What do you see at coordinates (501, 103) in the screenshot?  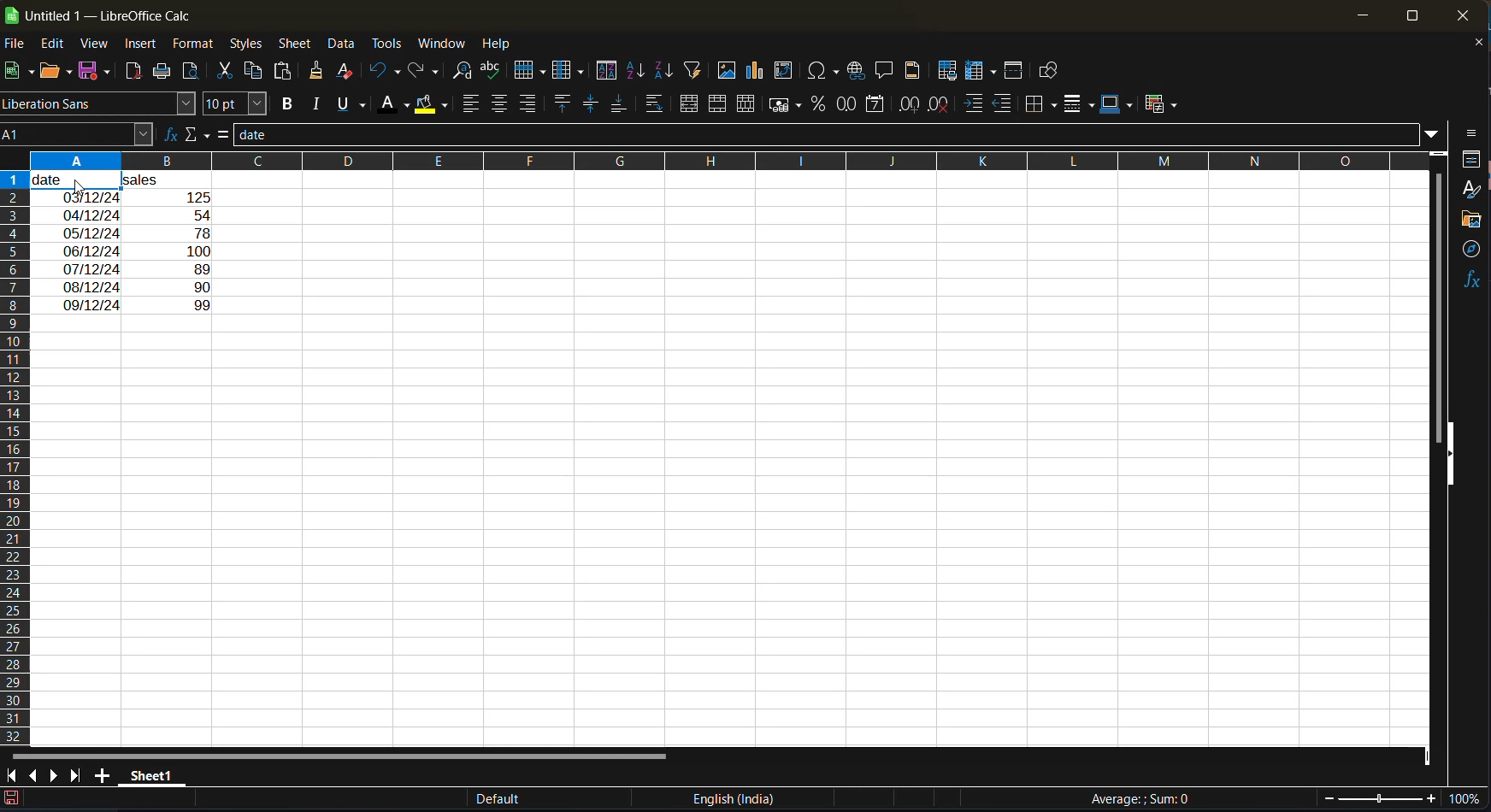 I see `align center` at bounding box center [501, 103].